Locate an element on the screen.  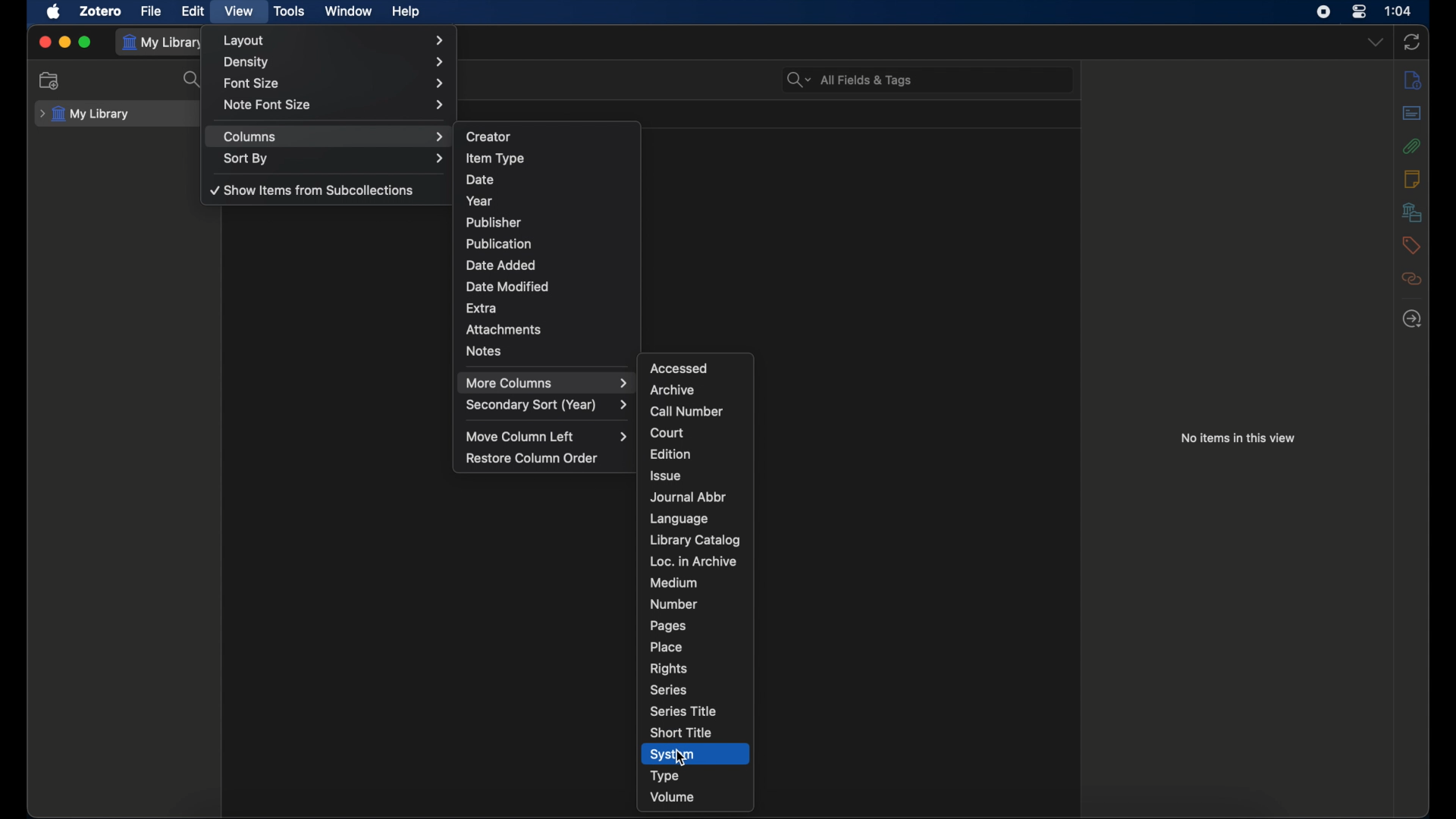
attachments is located at coordinates (504, 330).